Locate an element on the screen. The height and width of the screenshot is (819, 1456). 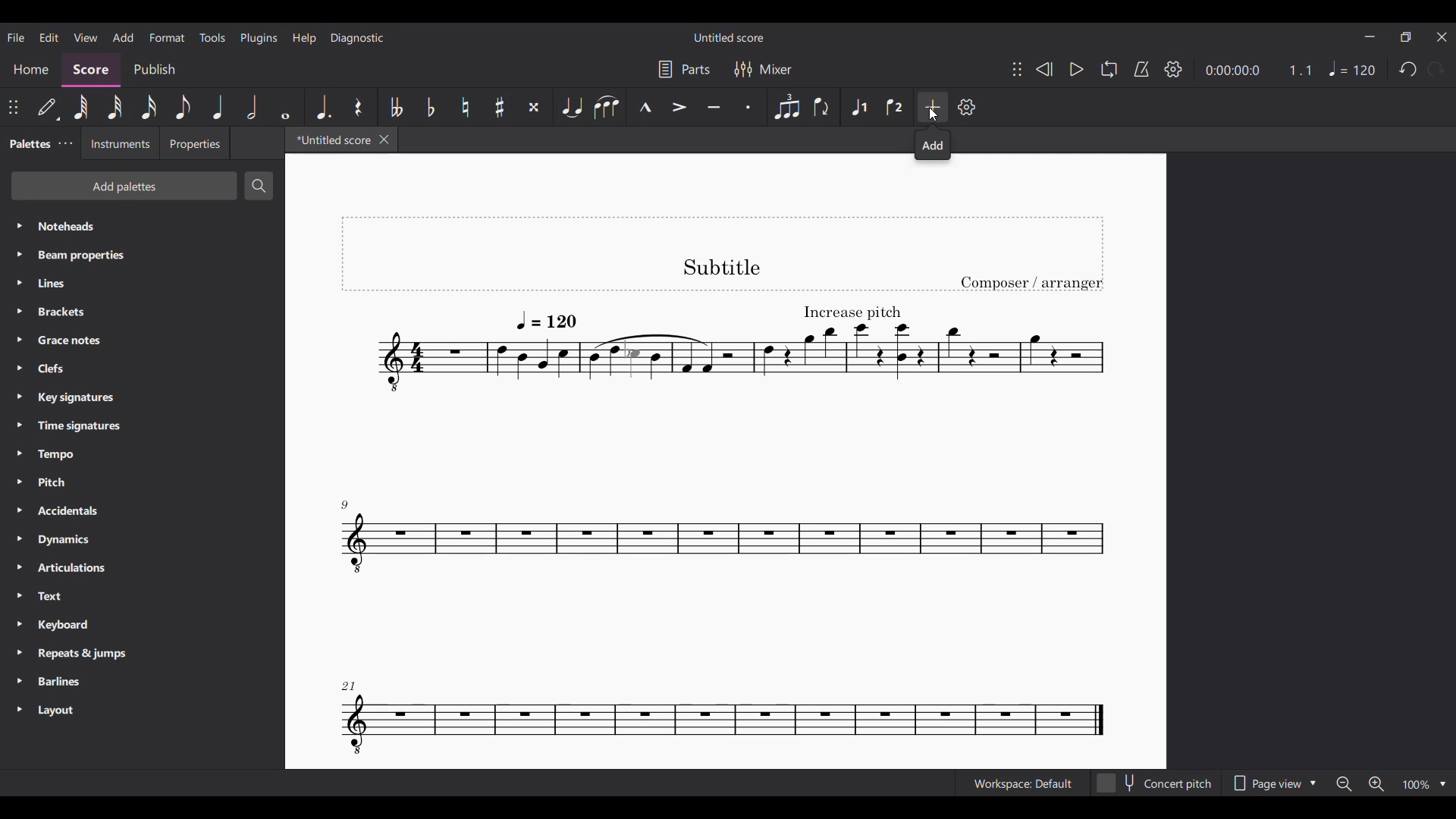
Properties is located at coordinates (194, 143).